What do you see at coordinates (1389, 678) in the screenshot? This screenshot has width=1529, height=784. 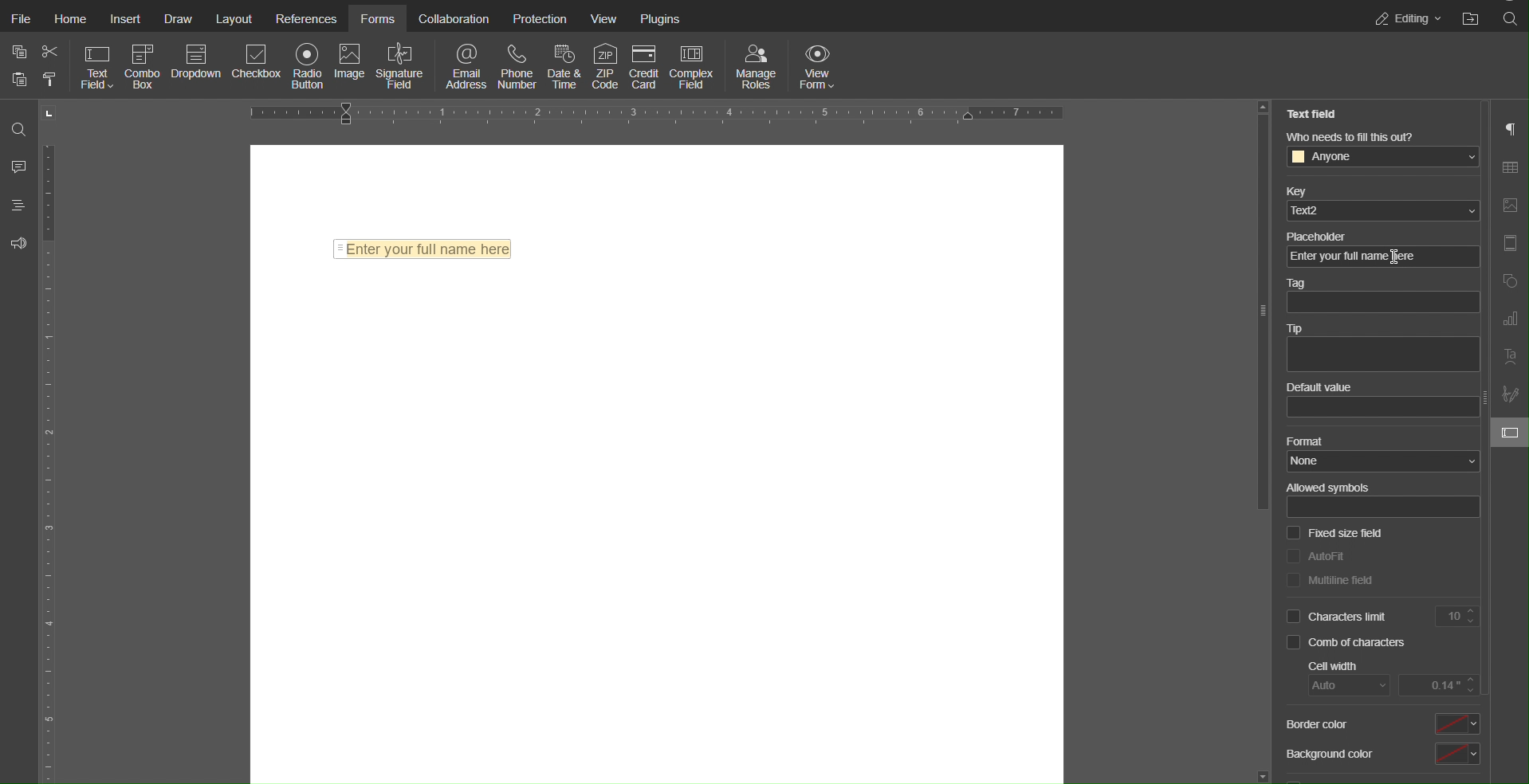 I see `Cell width` at bounding box center [1389, 678].